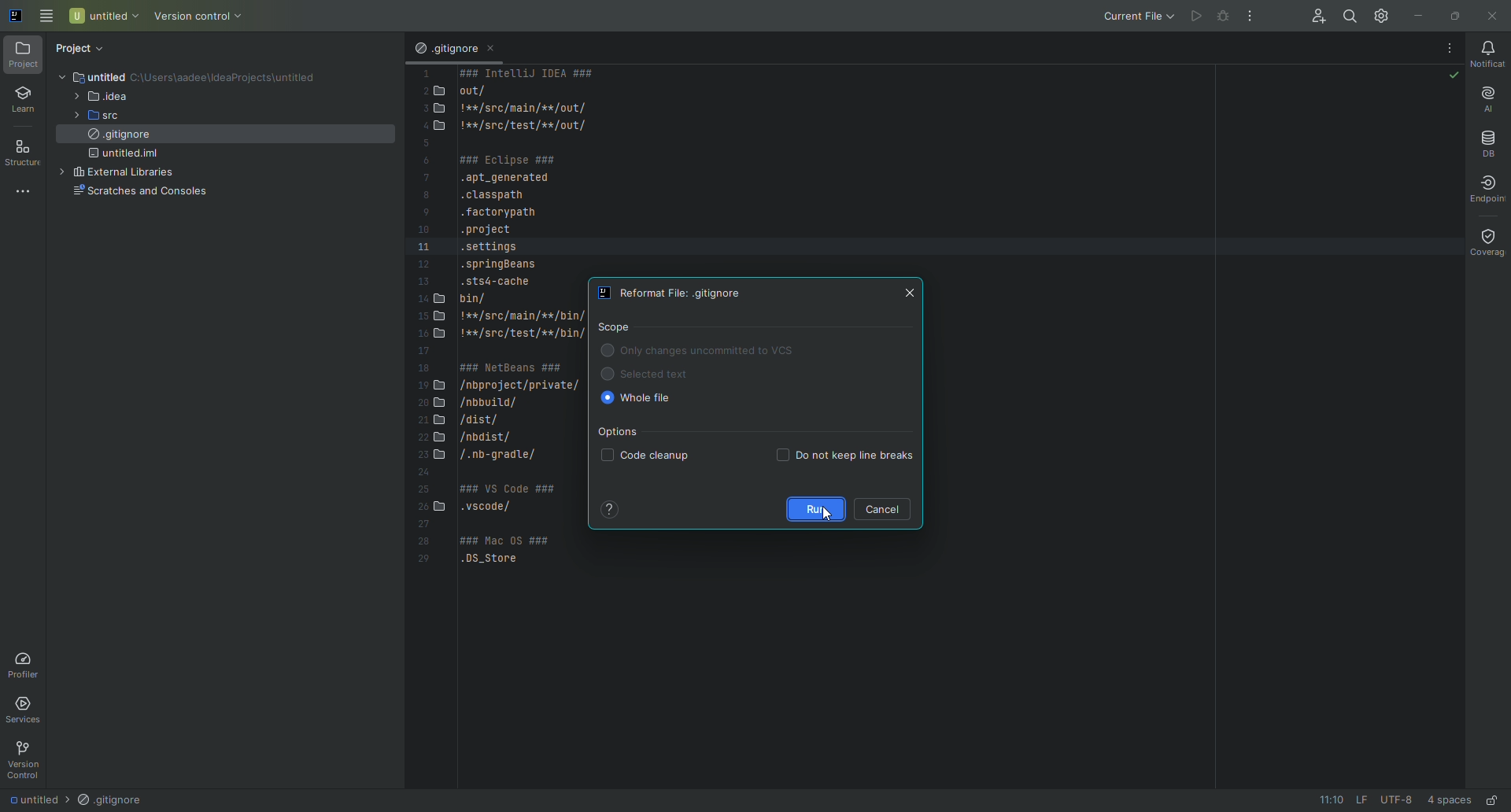 The height and width of the screenshot is (812, 1511). Describe the element at coordinates (609, 507) in the screenshot. I see `Help` at that location.